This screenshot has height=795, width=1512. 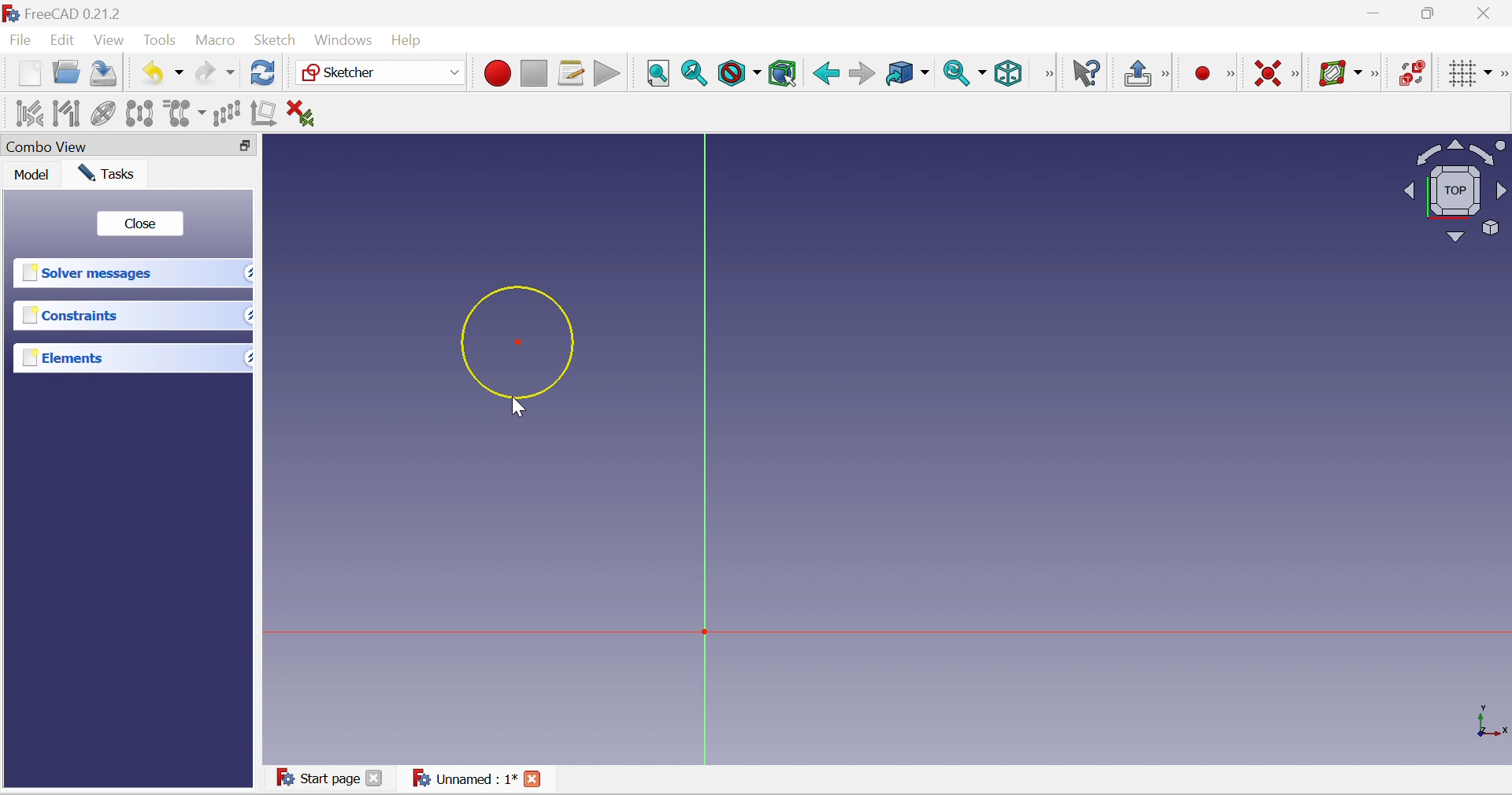 What do you see at coordinates (248, 357) in the screenshot?
I see `Drop down` at bounding box center [248, 357].